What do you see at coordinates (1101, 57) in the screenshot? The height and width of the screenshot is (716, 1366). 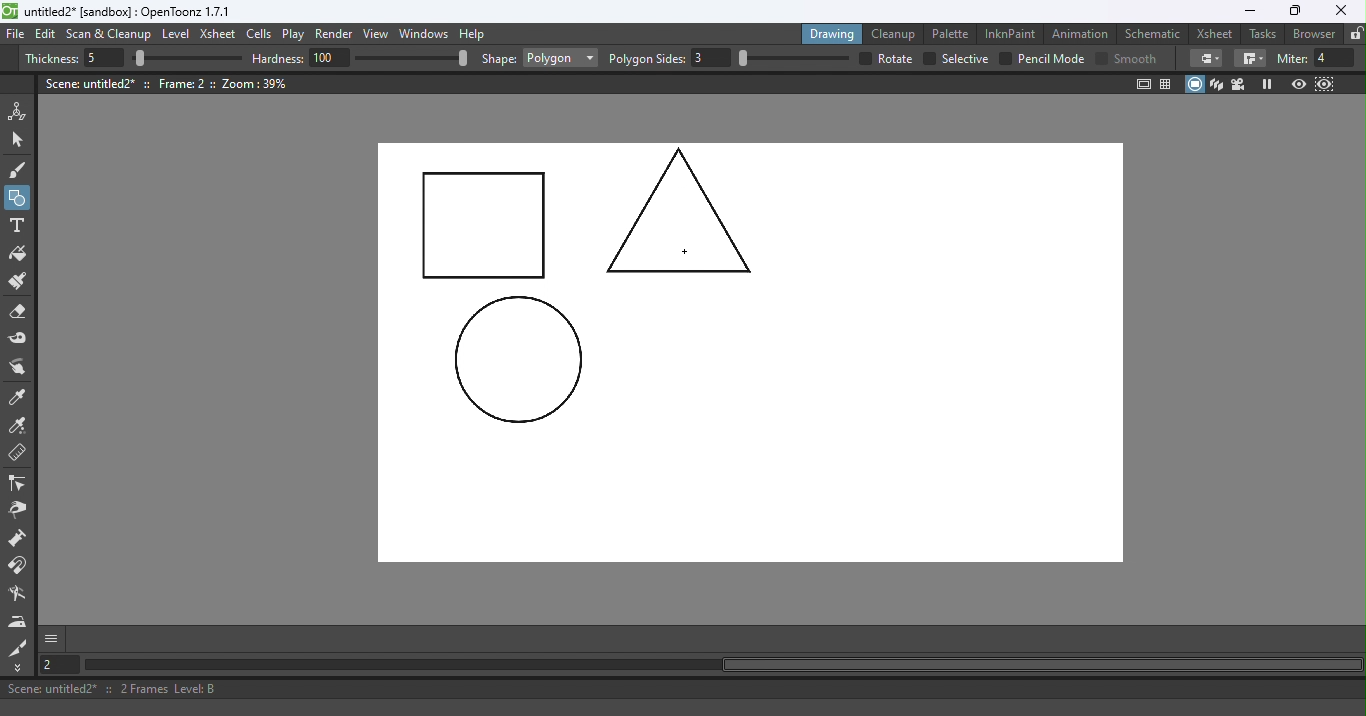 I see `Checkbox ` at bounding box center [1101, 57].